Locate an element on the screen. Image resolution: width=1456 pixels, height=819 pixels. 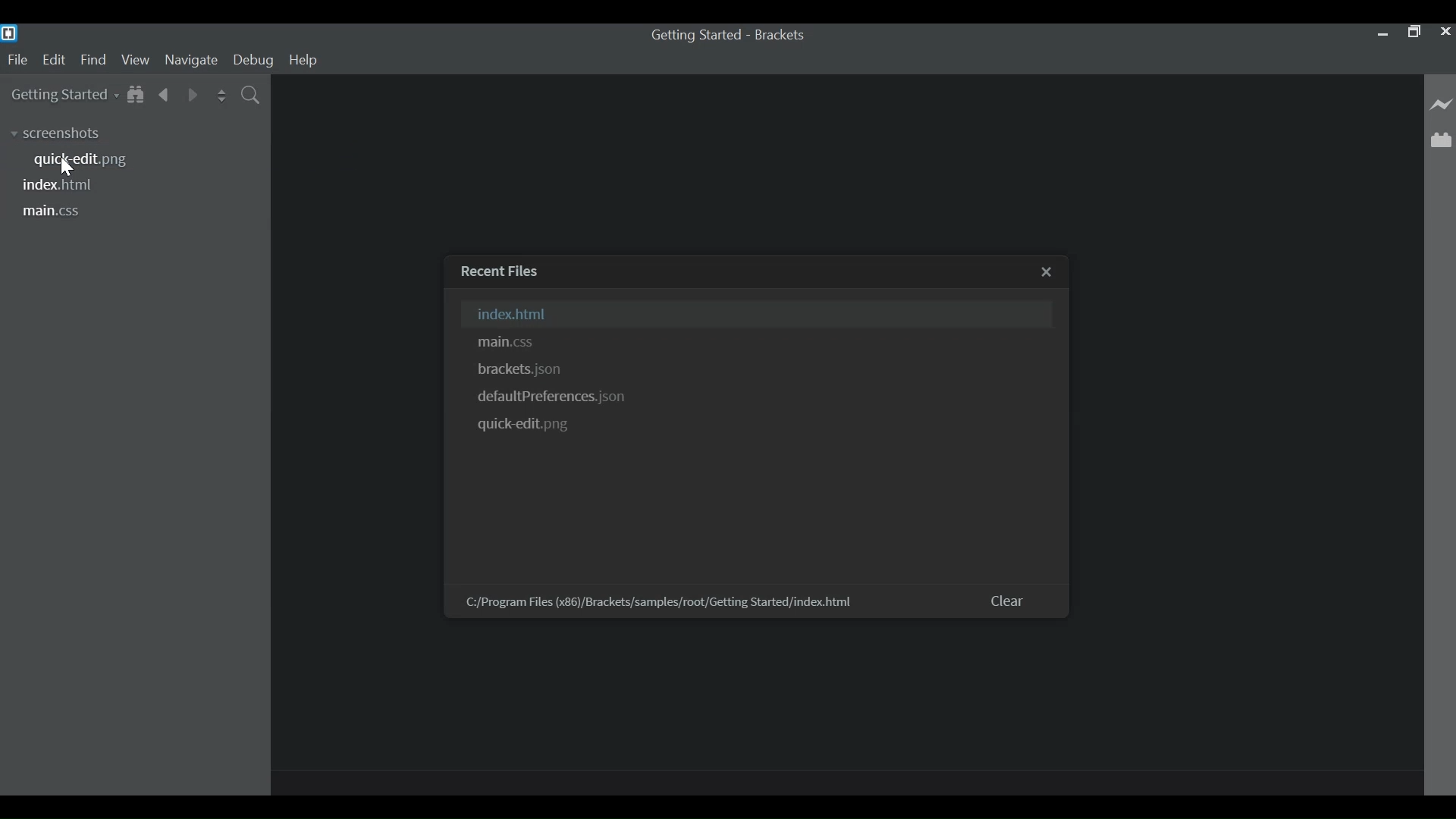
Restore is located at coordinates (1411, 31).